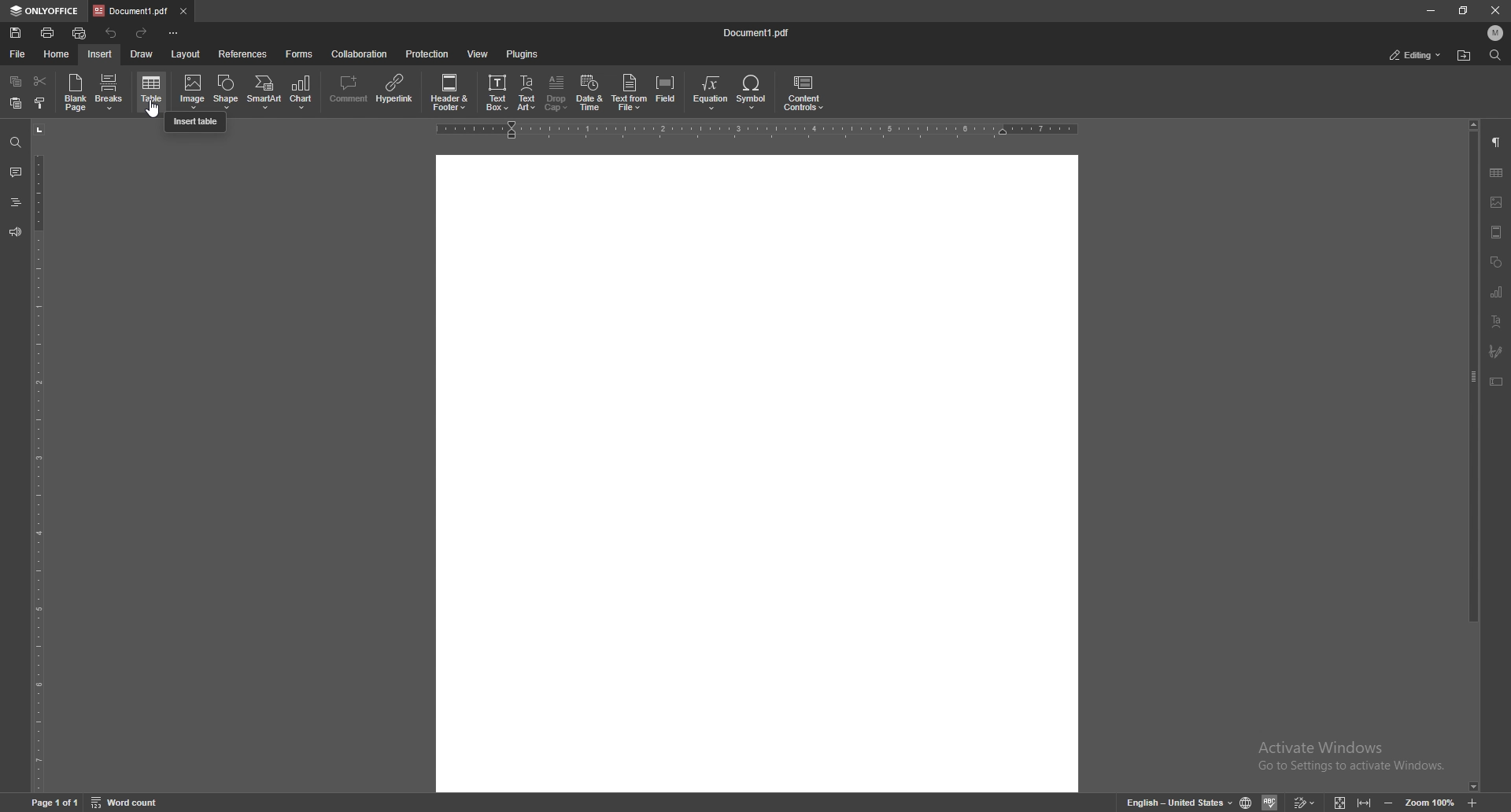 The height and width of the screenshot is (812, 1511). What do you see at coordinates (131, 10) in the screenshot?
I see `tab` at bounding box center [131, 10].